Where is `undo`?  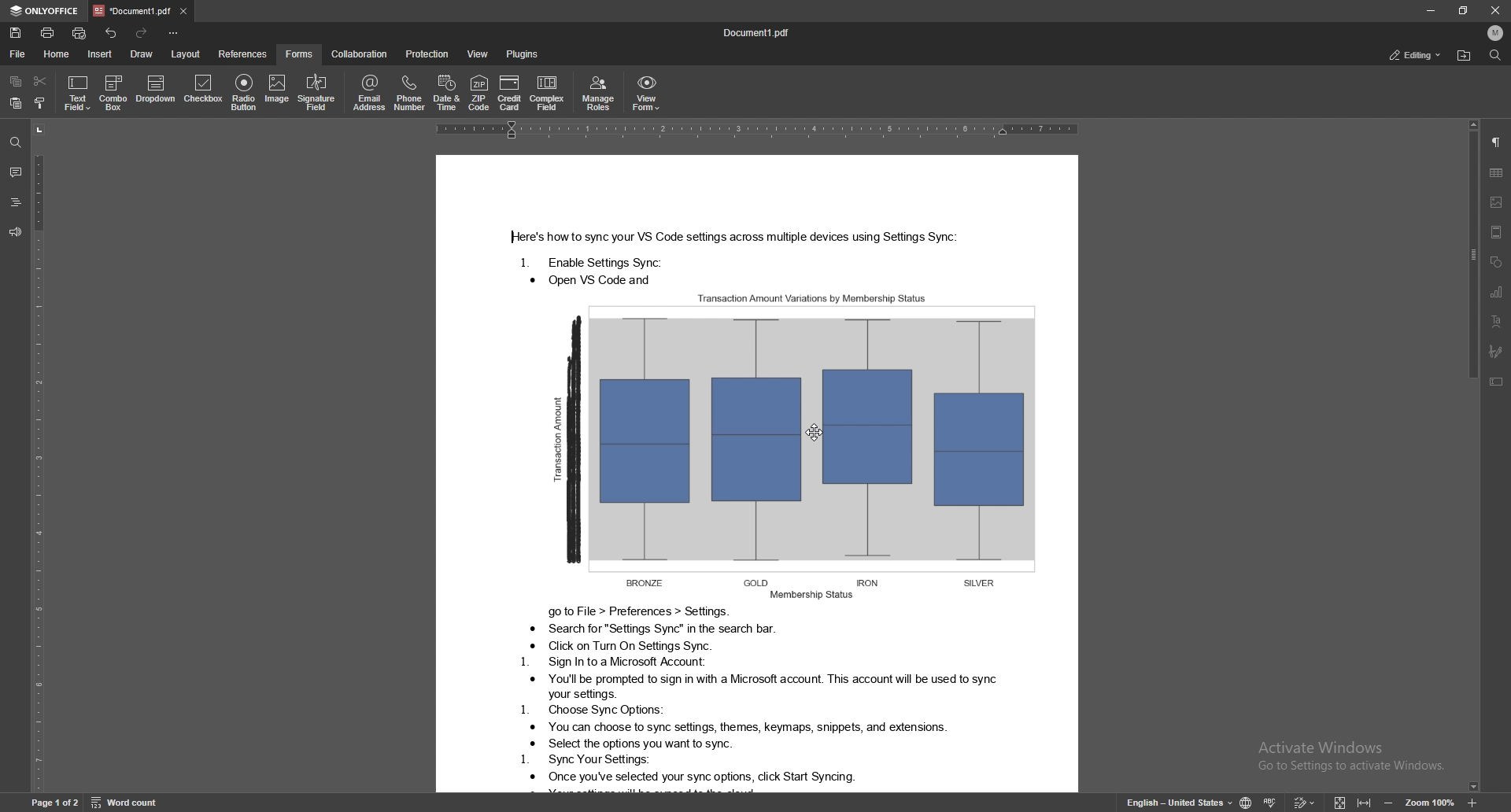 undo is located at coordinates (113, 33).